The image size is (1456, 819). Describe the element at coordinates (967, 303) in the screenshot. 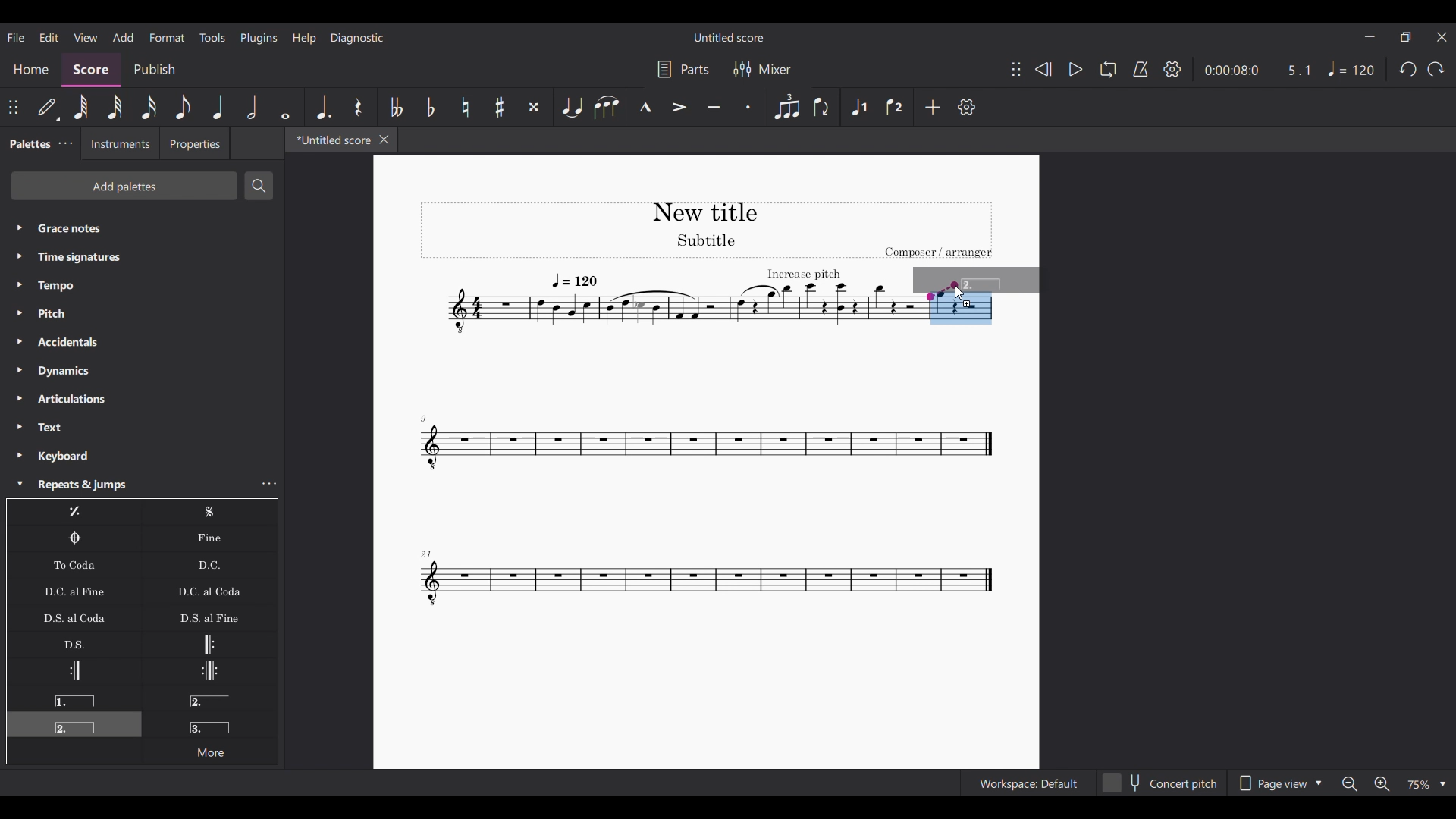

I see `Indicates addition` at that location.